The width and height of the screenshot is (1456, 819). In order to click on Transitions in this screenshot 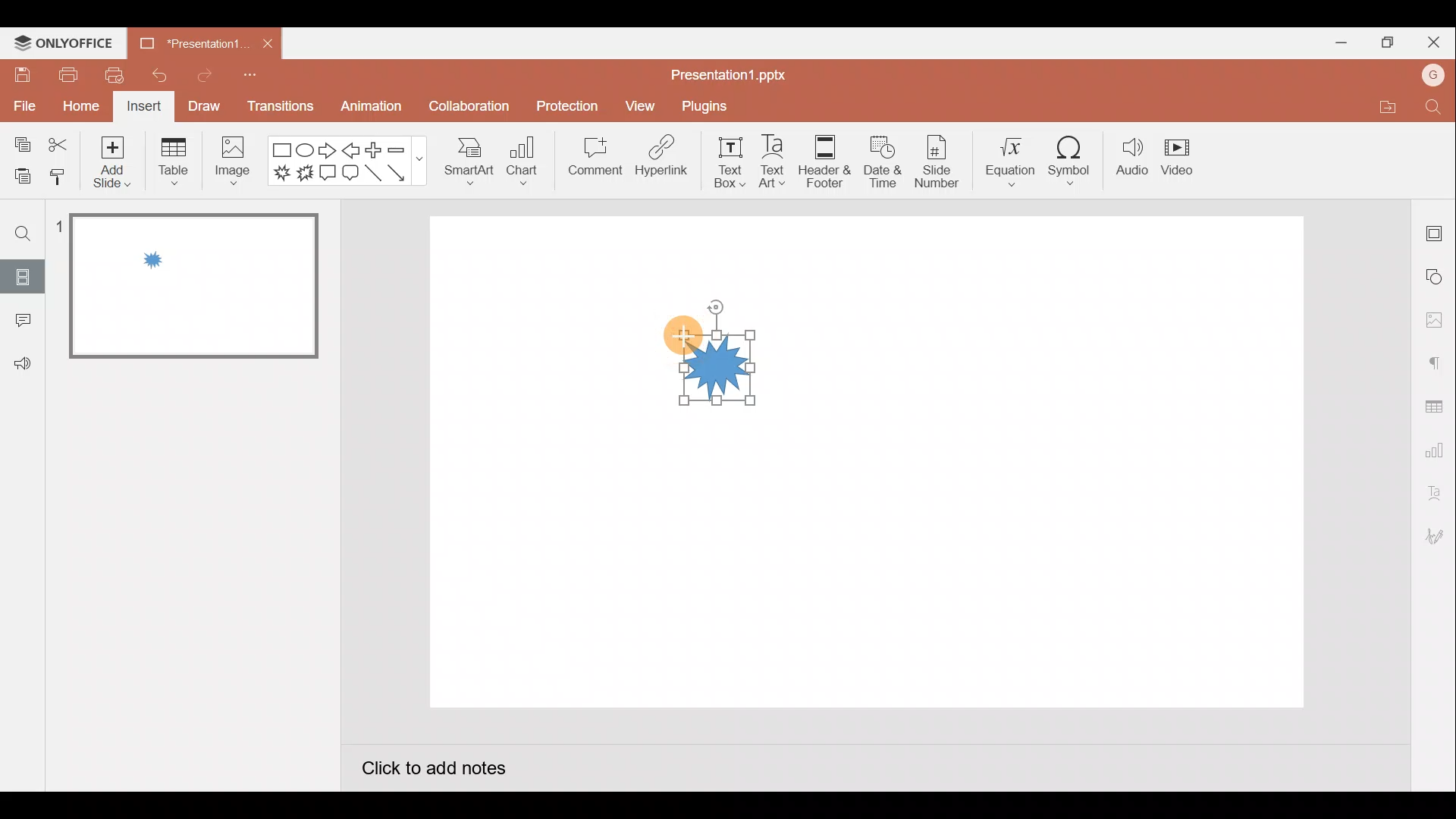, I will do `click(278, 106)`.